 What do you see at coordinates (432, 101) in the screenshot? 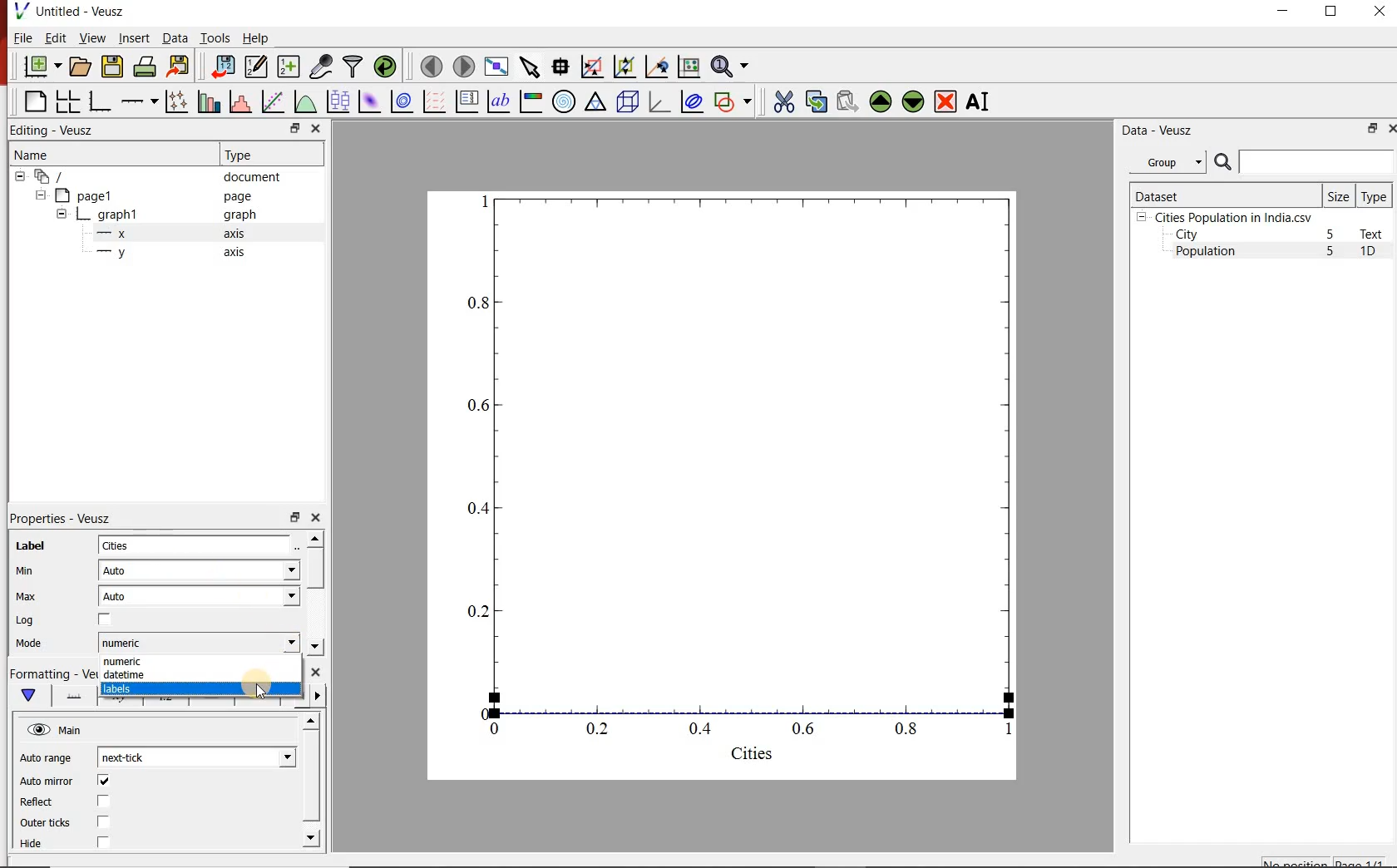
I see `plot a vector field` at bounding box center [432, 101].